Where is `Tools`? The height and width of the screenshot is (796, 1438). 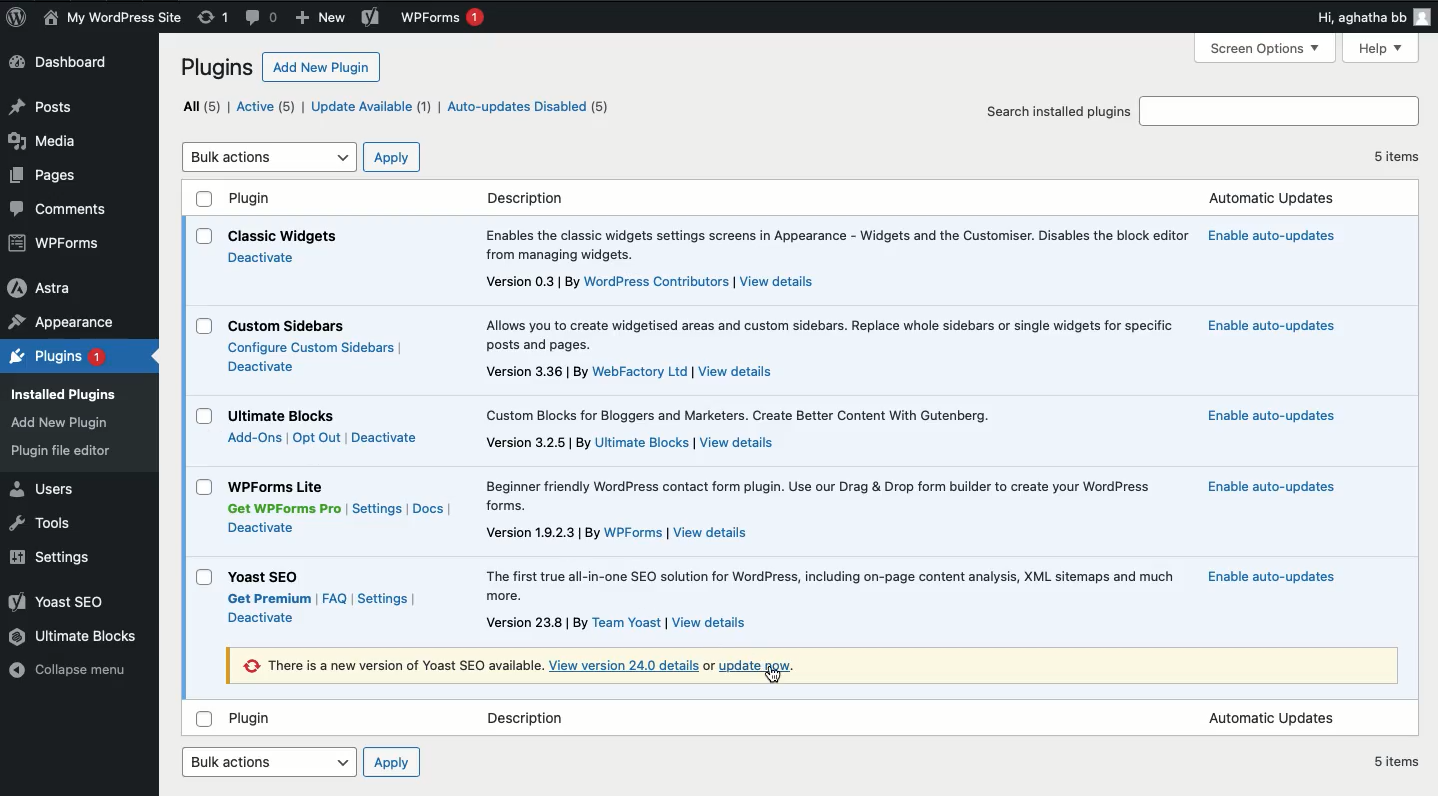
Tools is located at coordinates (48, 524).